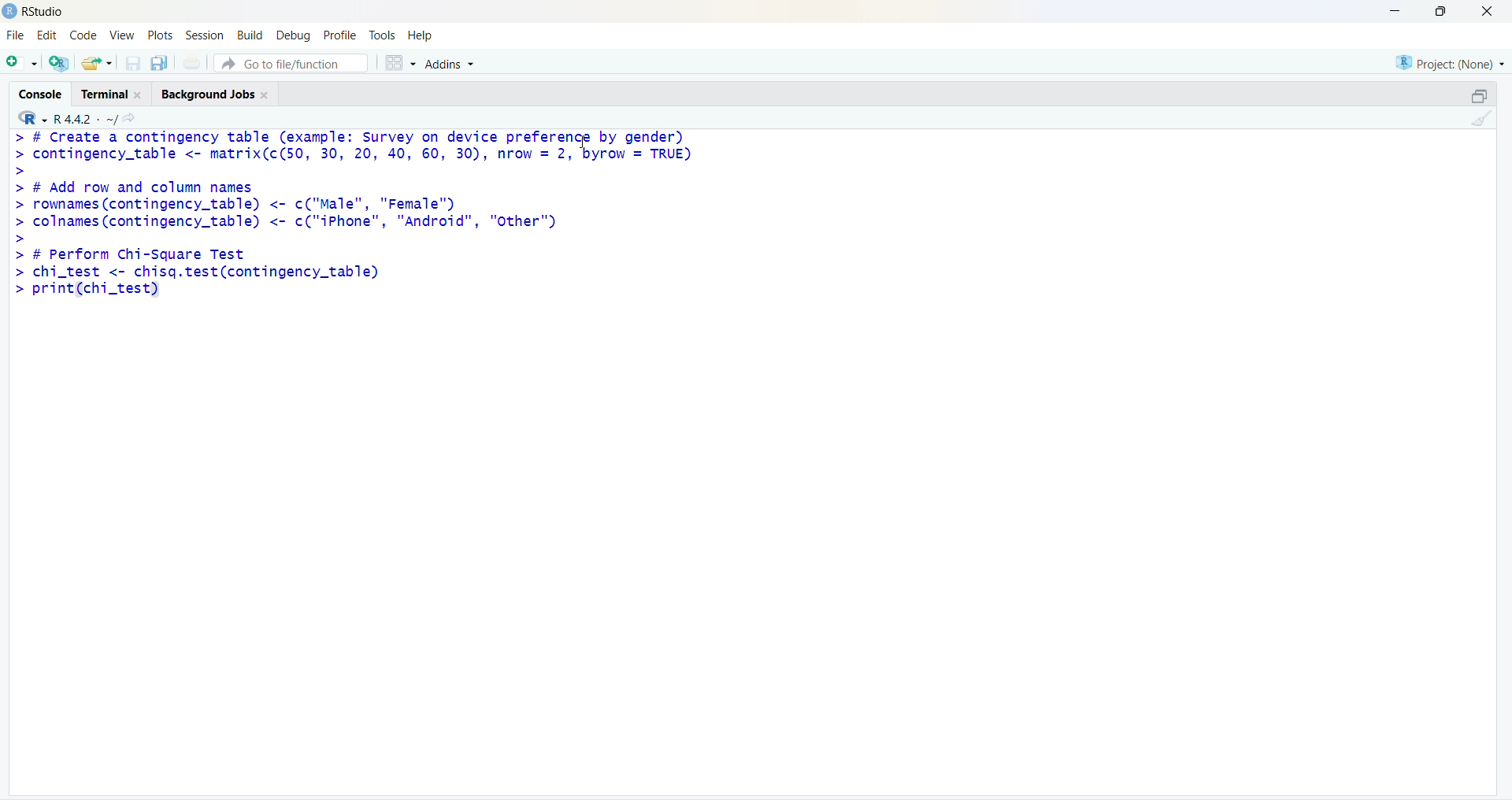 Image resolution: width=1512 pixels, height=800 pixels. I want to click on minimise, so click(1398, 9).